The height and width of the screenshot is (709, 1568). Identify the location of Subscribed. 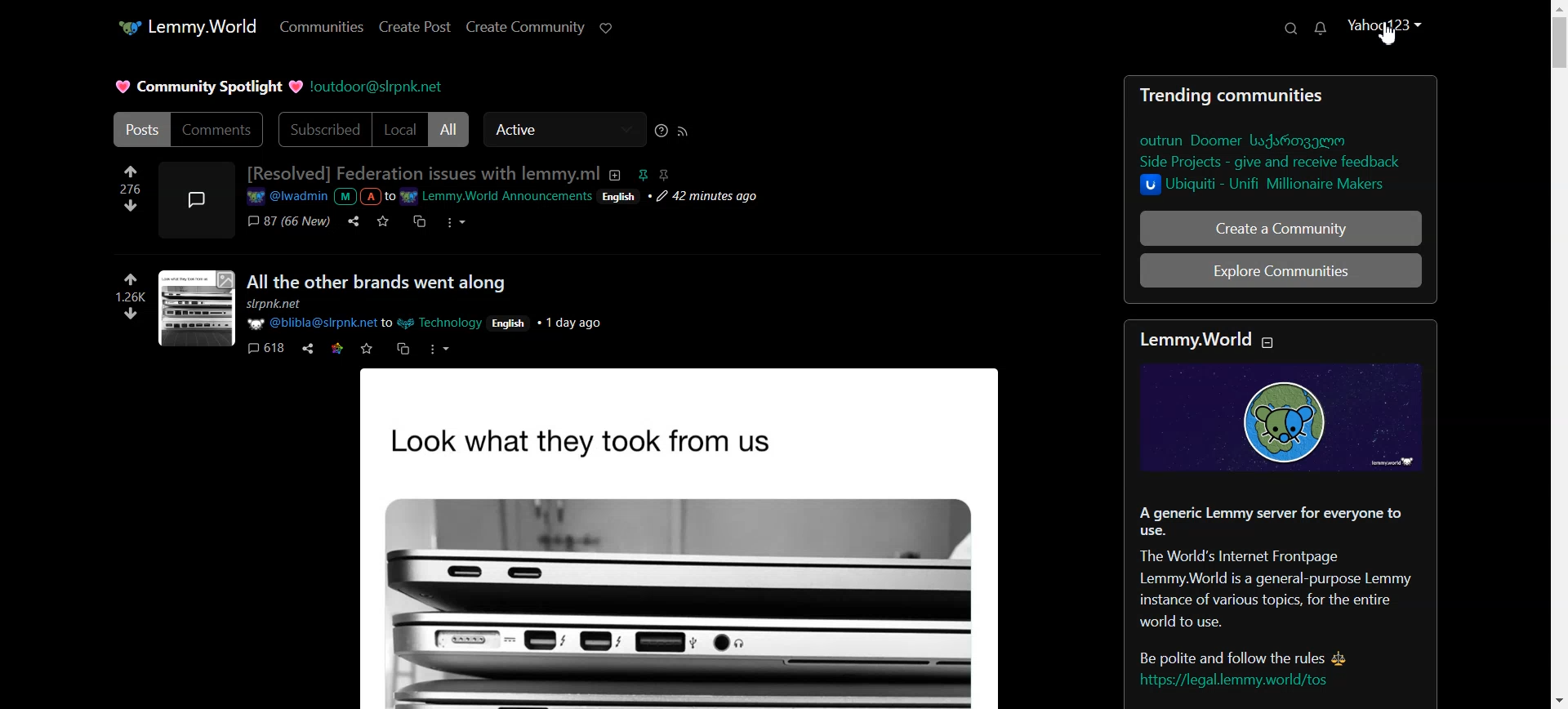
(323, 129).